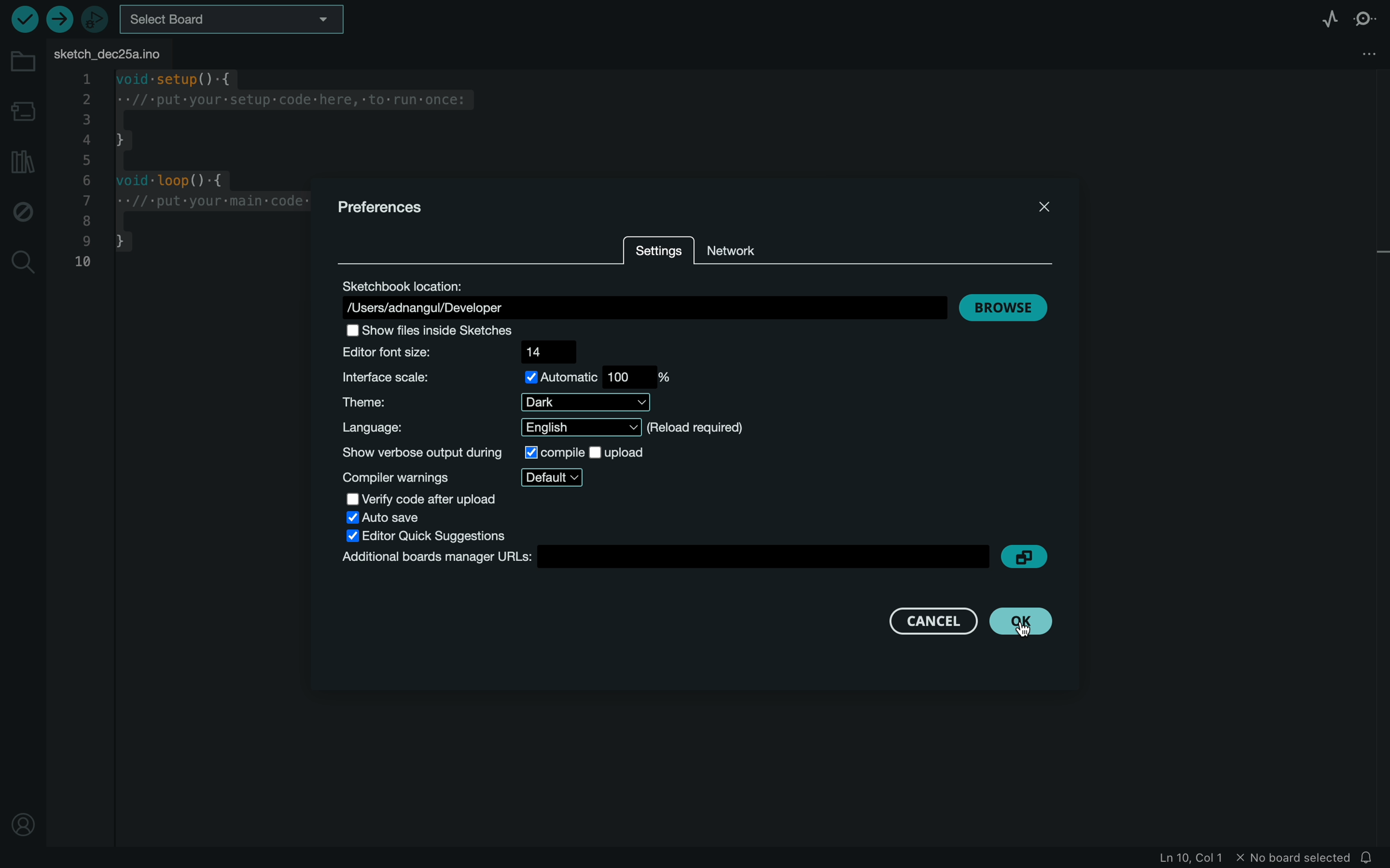  What do you see at coordinates (1003, 309) in the screenshot?
I see `browse` at bounding box center [1003, 309].